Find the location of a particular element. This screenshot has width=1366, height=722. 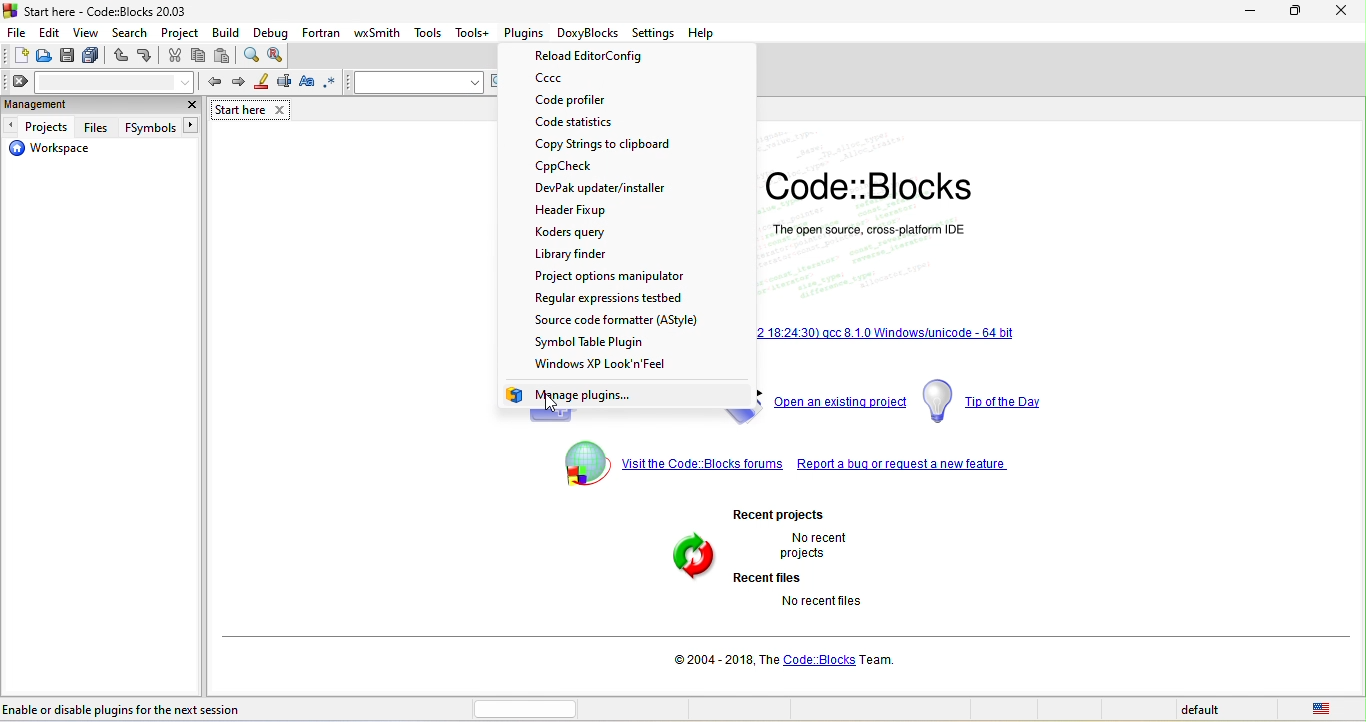

project options manipulator is located at coordinates (609, 275).